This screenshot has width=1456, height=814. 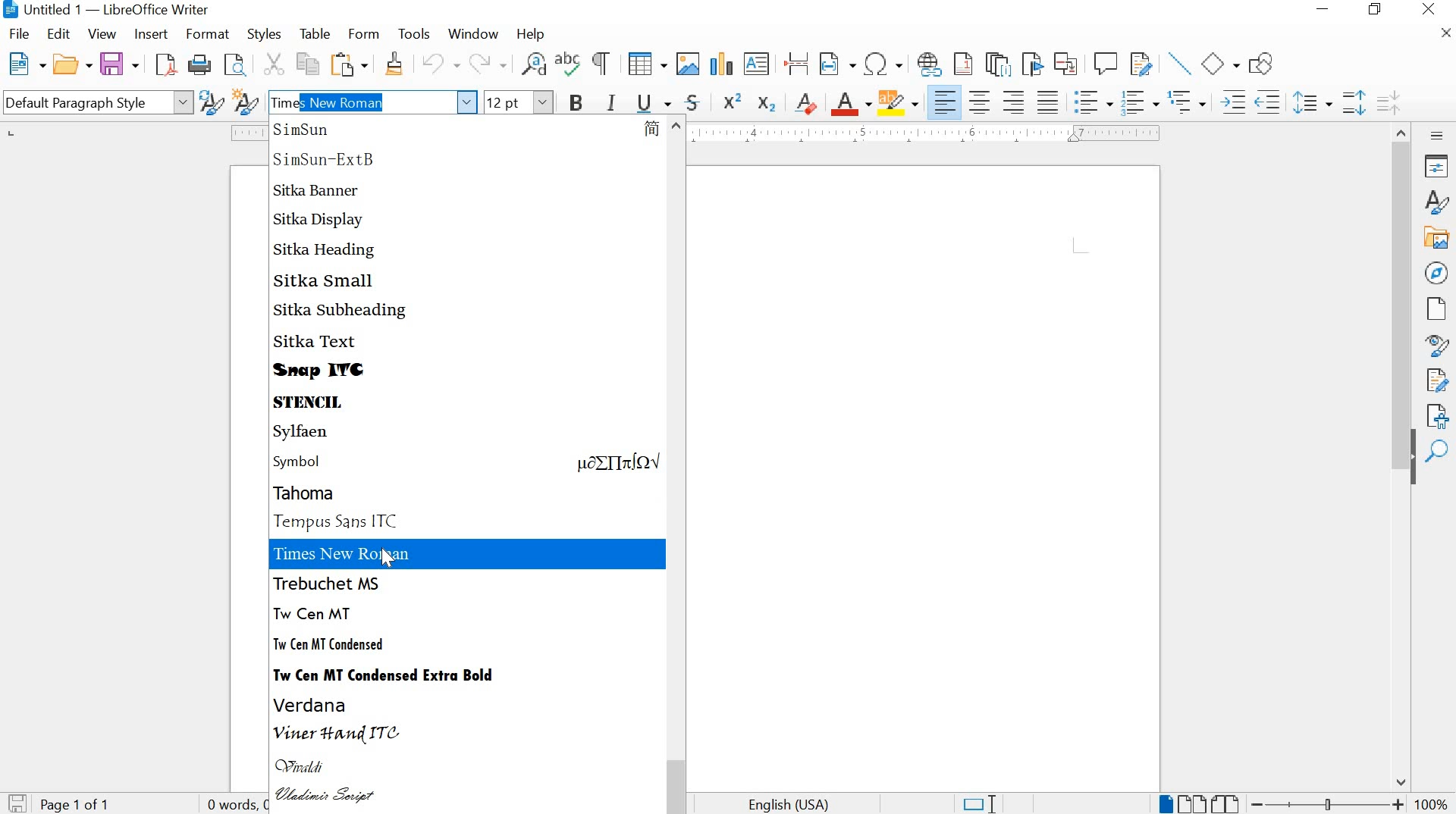 I want to click on SPELLING CHECK, so click(x=569, y=64).